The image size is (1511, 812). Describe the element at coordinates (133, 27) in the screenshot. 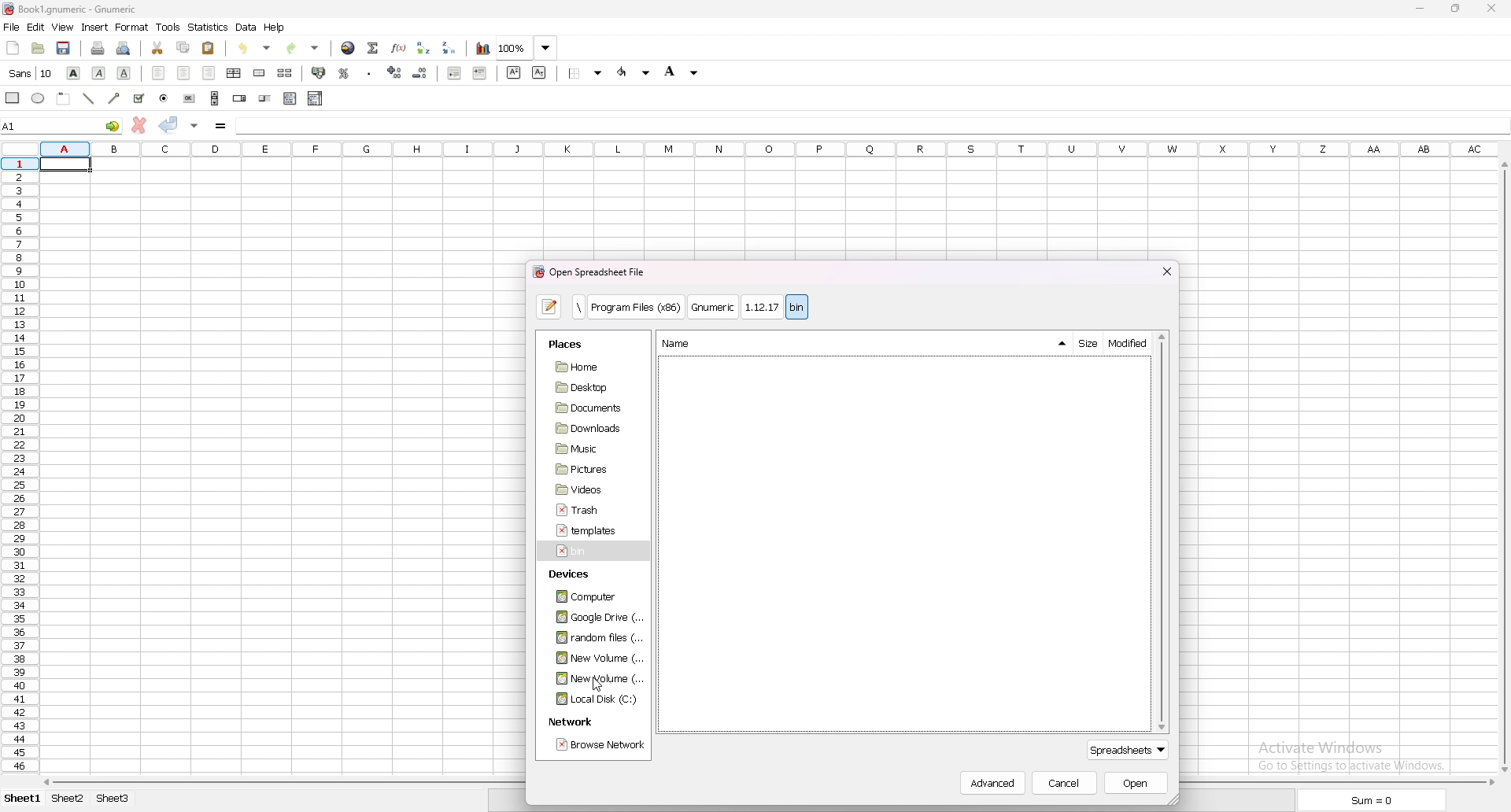

I see `format` at that location.